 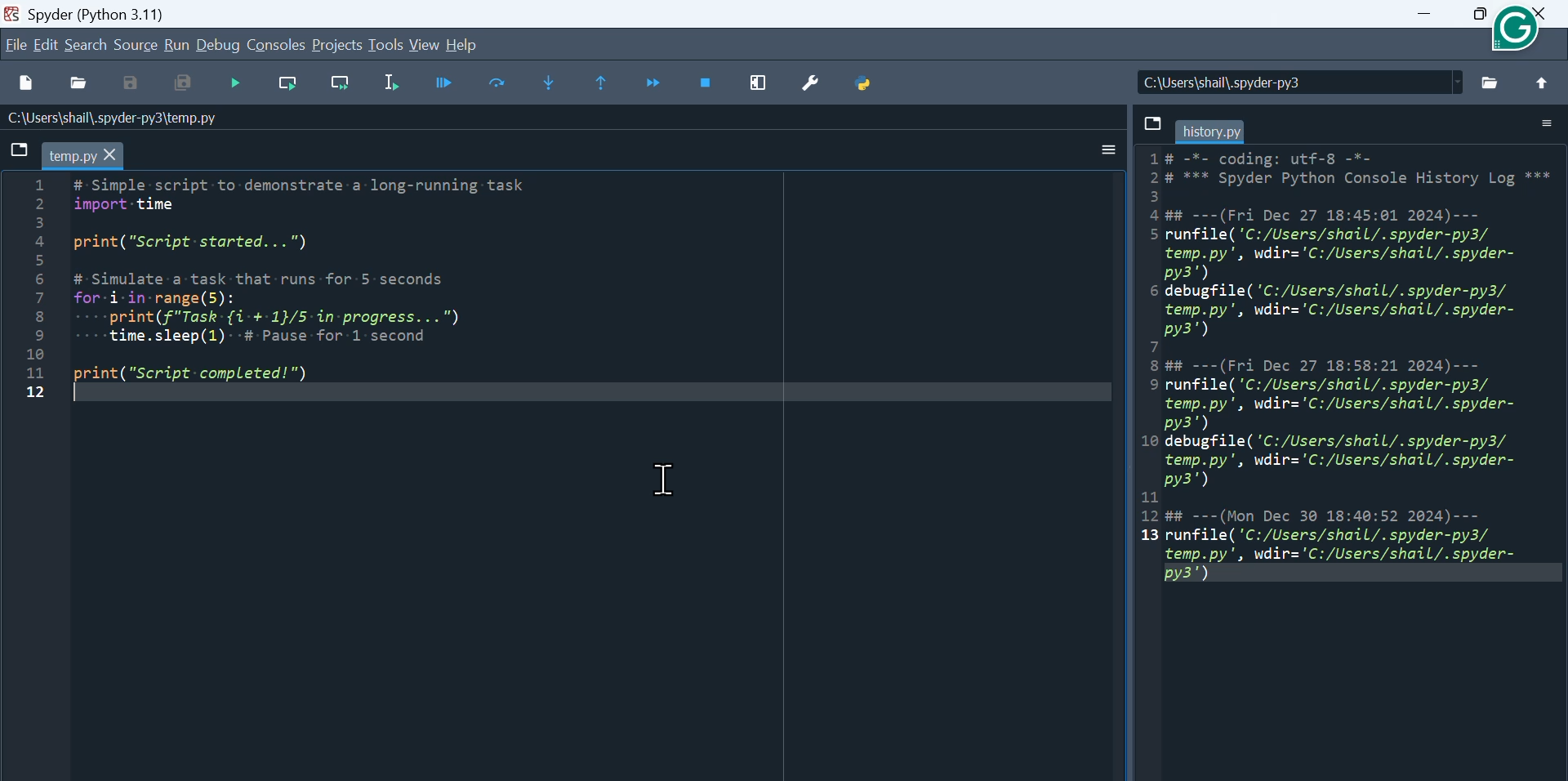 I want to click on new file, so click(x=28, y=81).